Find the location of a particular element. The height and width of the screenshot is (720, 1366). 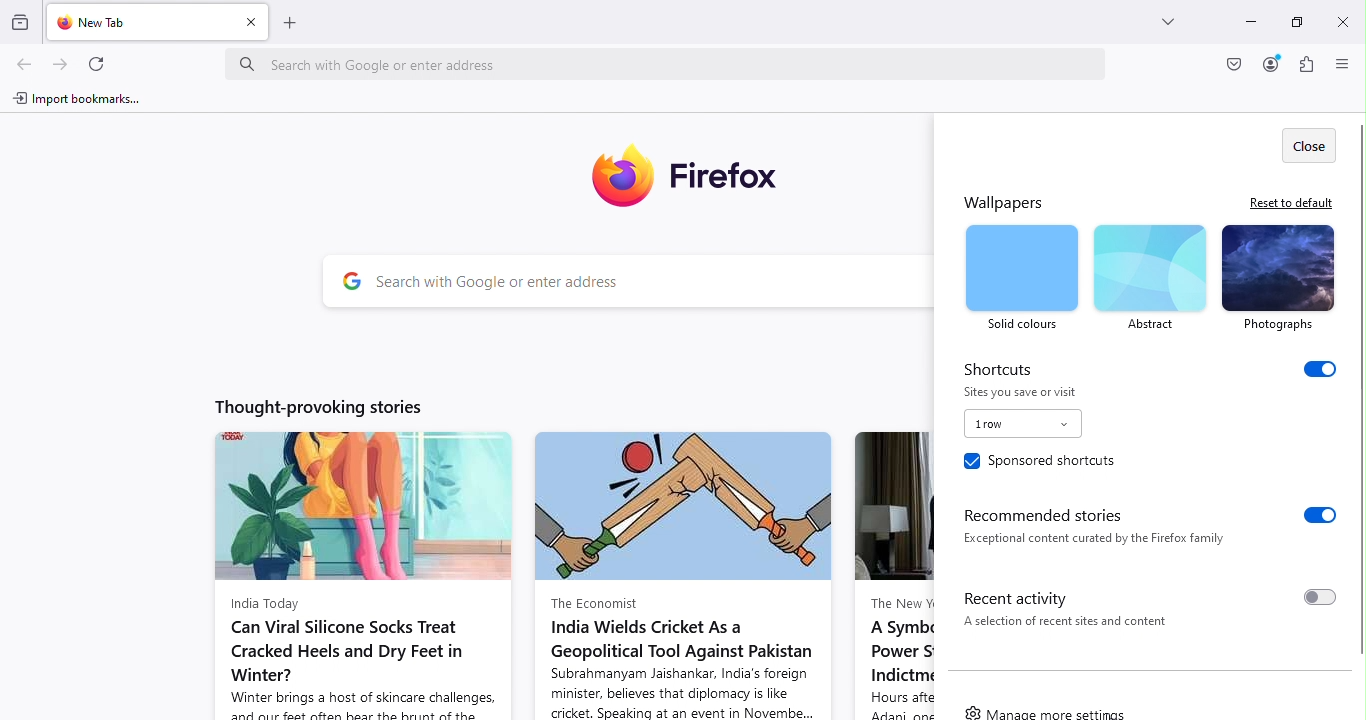

vertical scrollbar is located at coordinates (1357, 392).